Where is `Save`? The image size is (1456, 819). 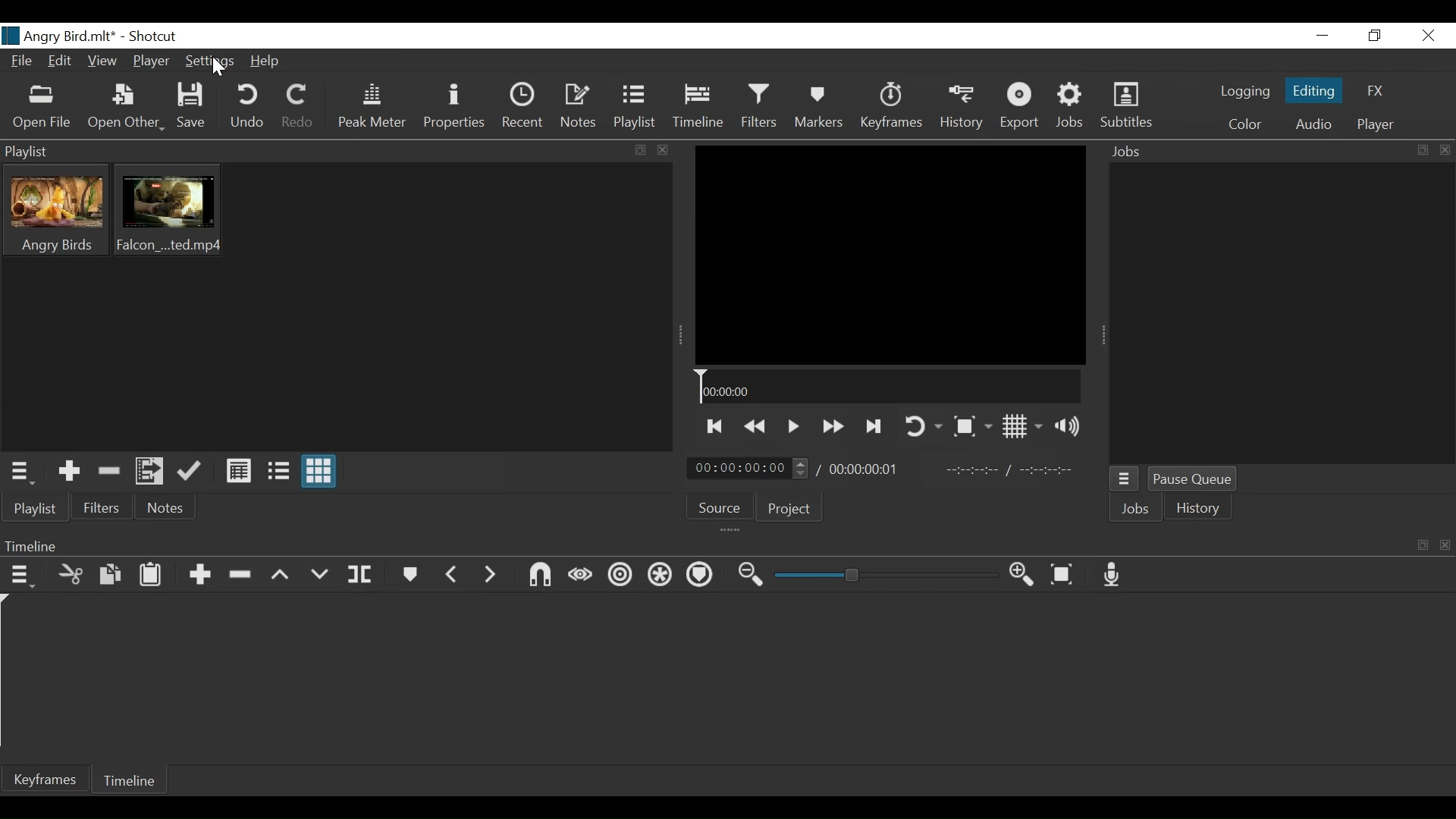
Save is located at coordinates (193, 108).